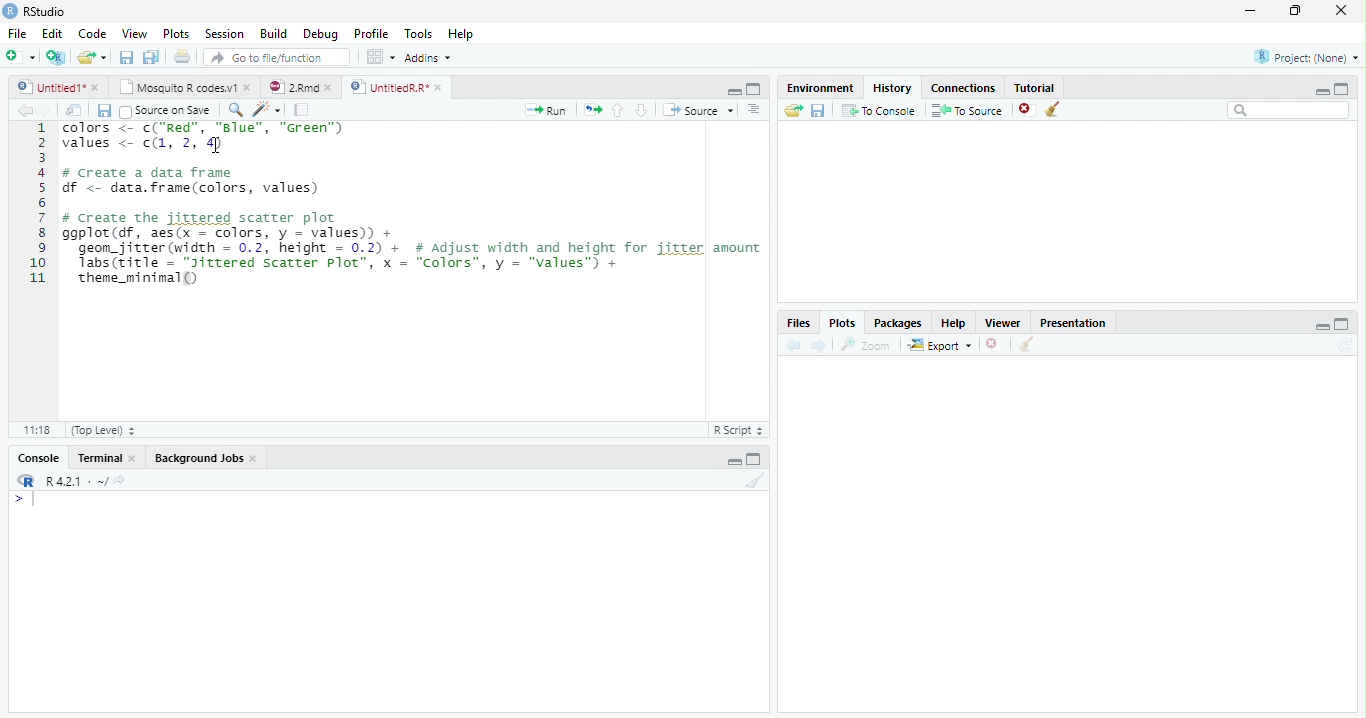  What do you see at coordinates (1345, 345) in the screenshot?
I see `Refresh current plot` at bounding box center [1345, 345].